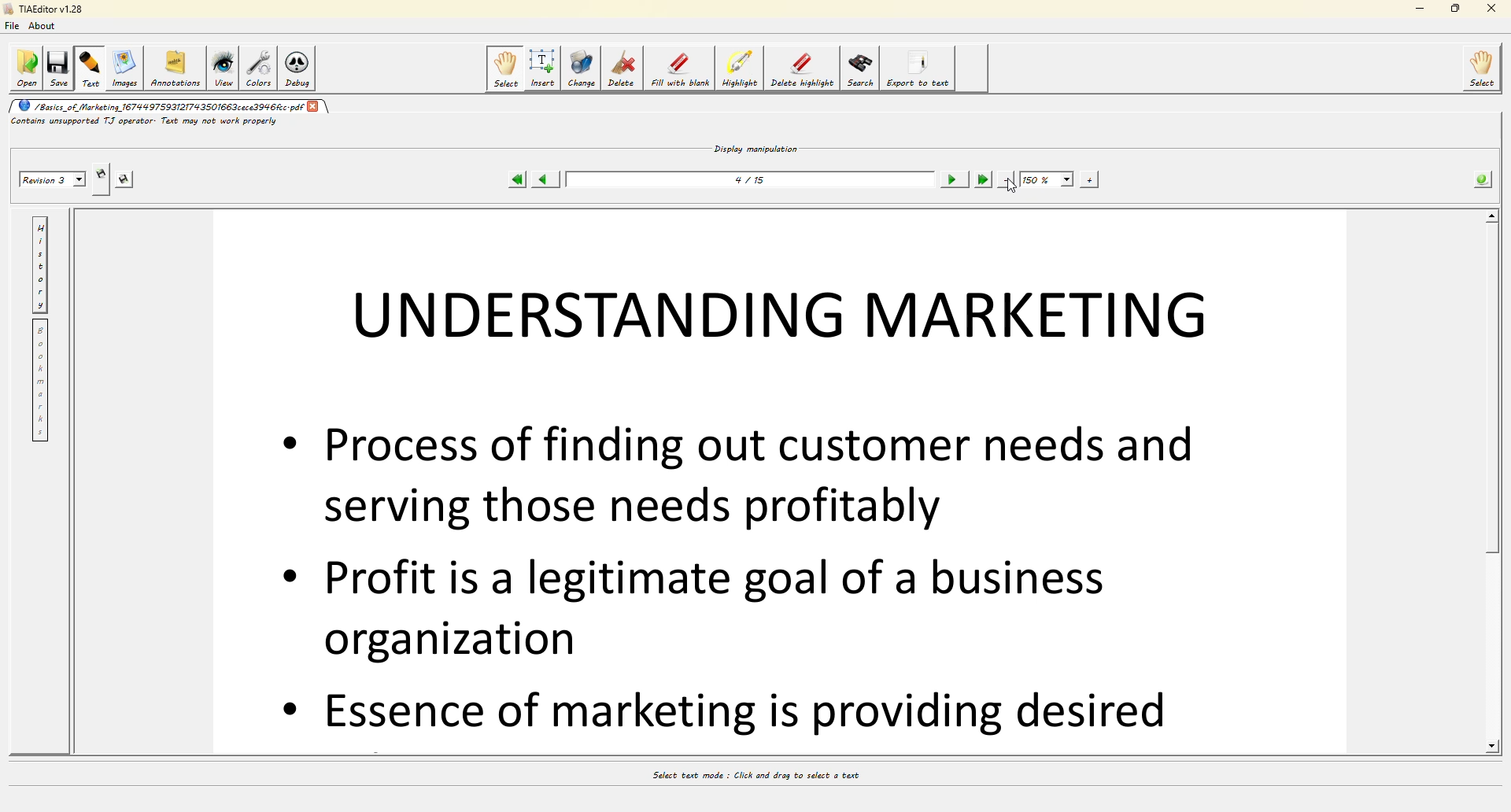  I want to click on close, so click(318, 107).